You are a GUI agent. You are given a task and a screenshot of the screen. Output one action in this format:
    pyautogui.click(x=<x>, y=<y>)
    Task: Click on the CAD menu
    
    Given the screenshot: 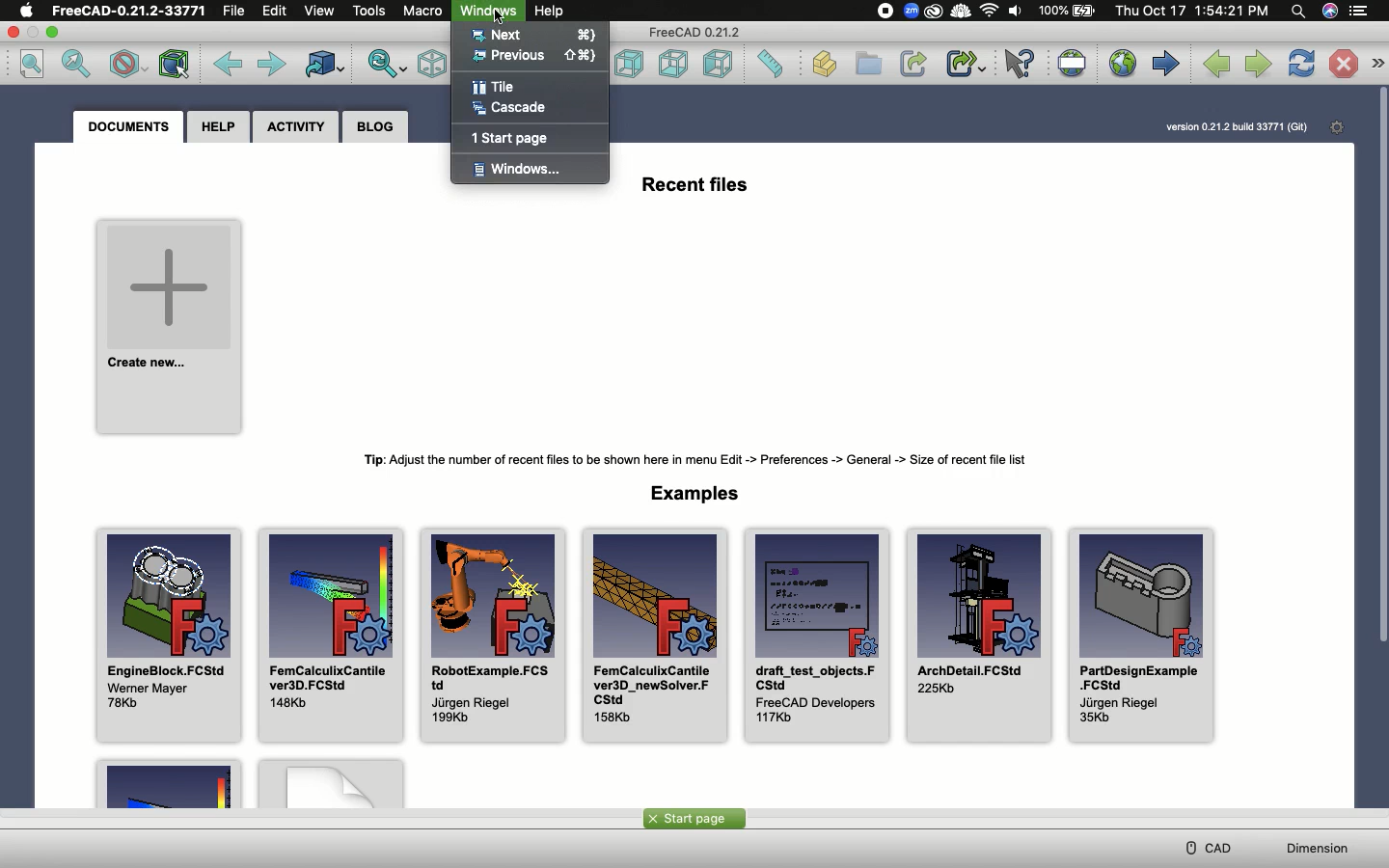 What is the action you would take?
    pyautogui.click(x=1205, y=848)
    